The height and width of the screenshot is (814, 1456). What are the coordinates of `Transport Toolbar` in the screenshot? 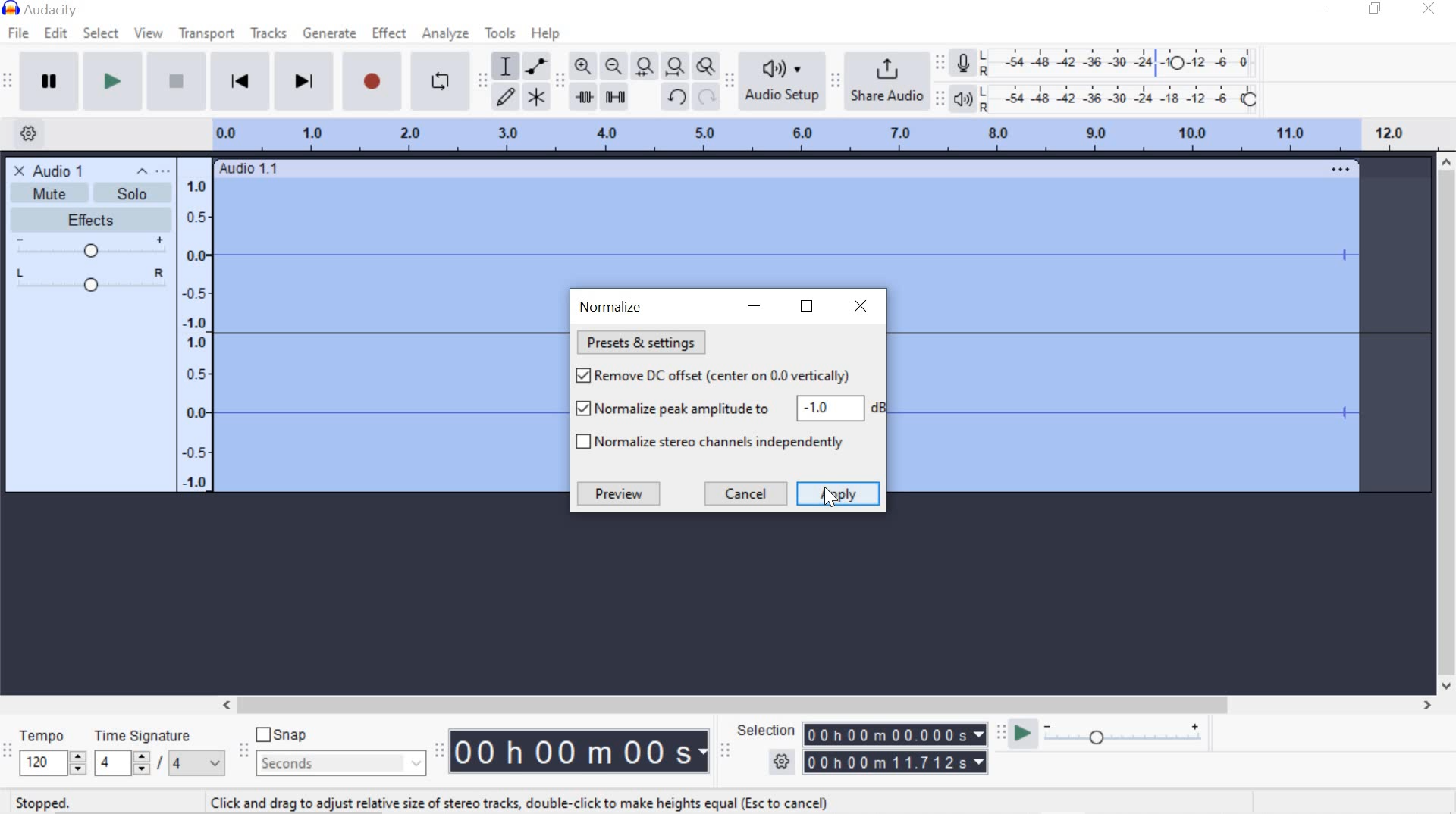 It's located at (10, 82).